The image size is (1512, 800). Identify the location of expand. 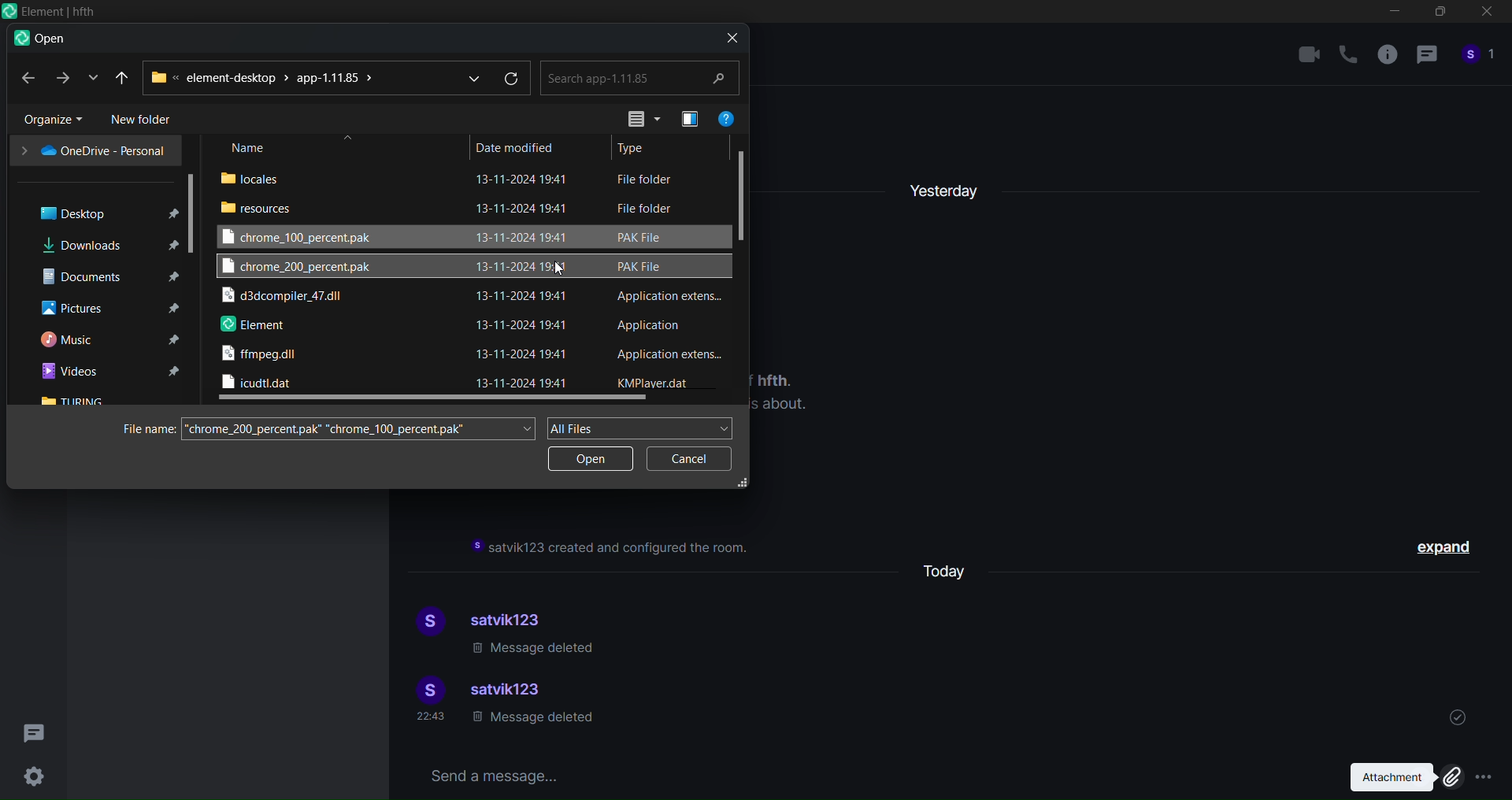
(1447, 550).